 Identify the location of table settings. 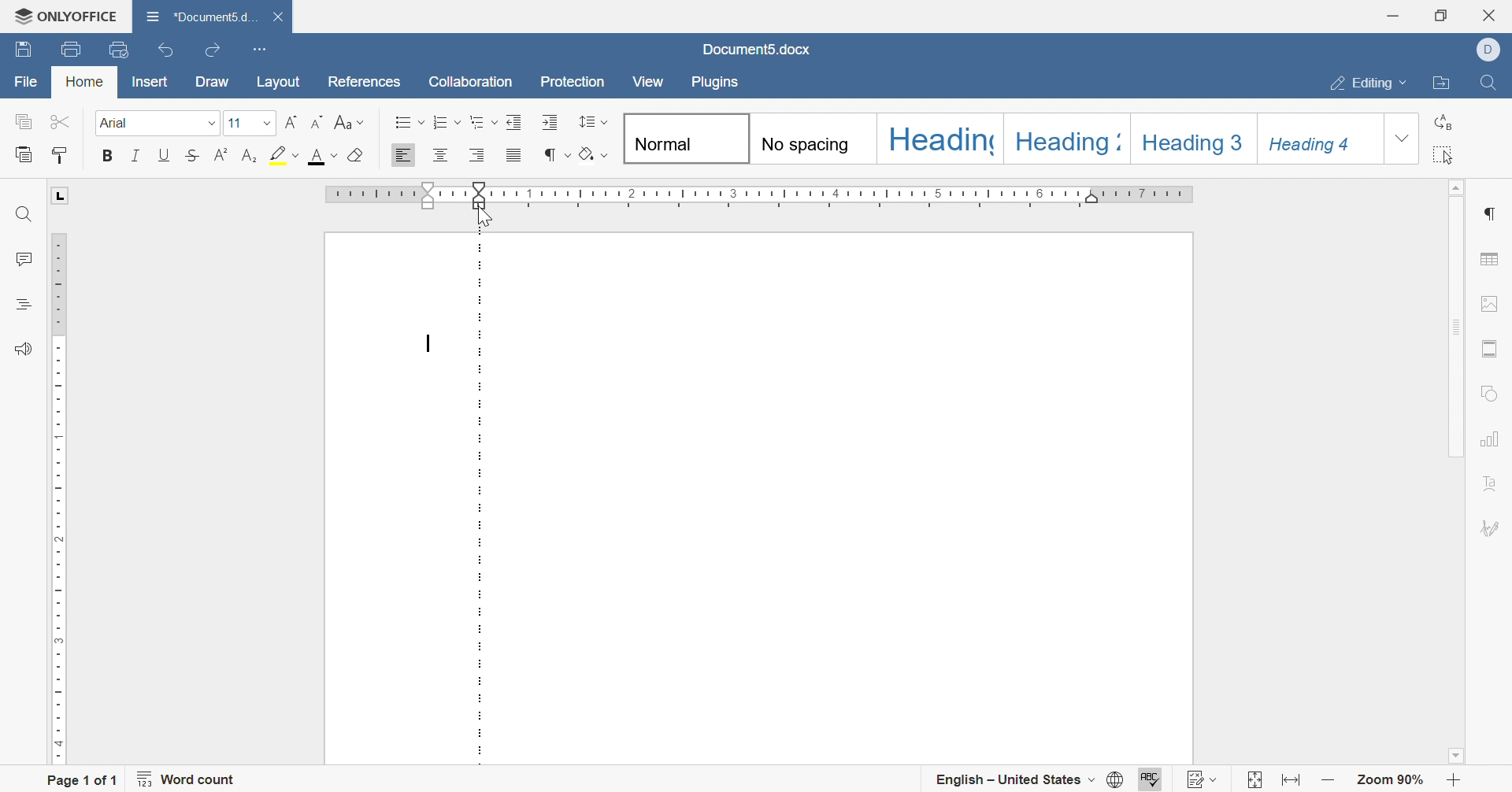
(1492, 260).